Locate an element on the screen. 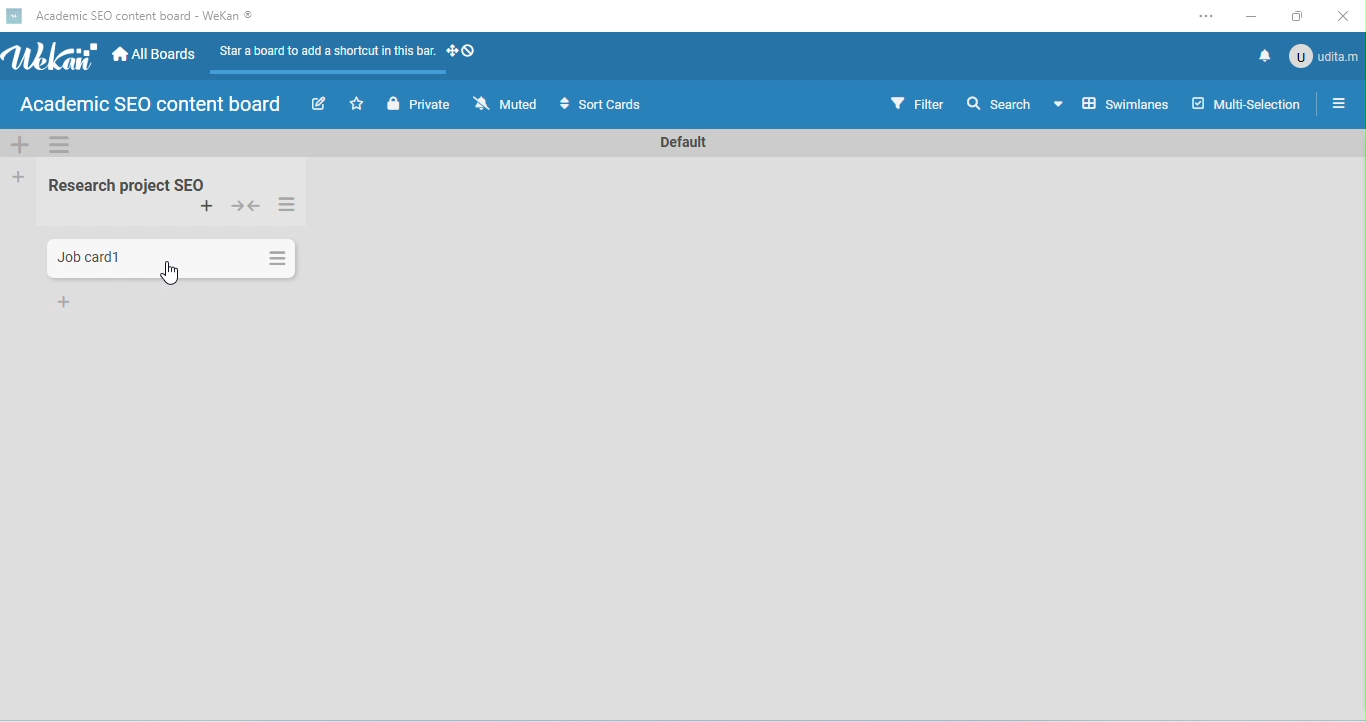  wekan logo is located at coordinates (14, 16).